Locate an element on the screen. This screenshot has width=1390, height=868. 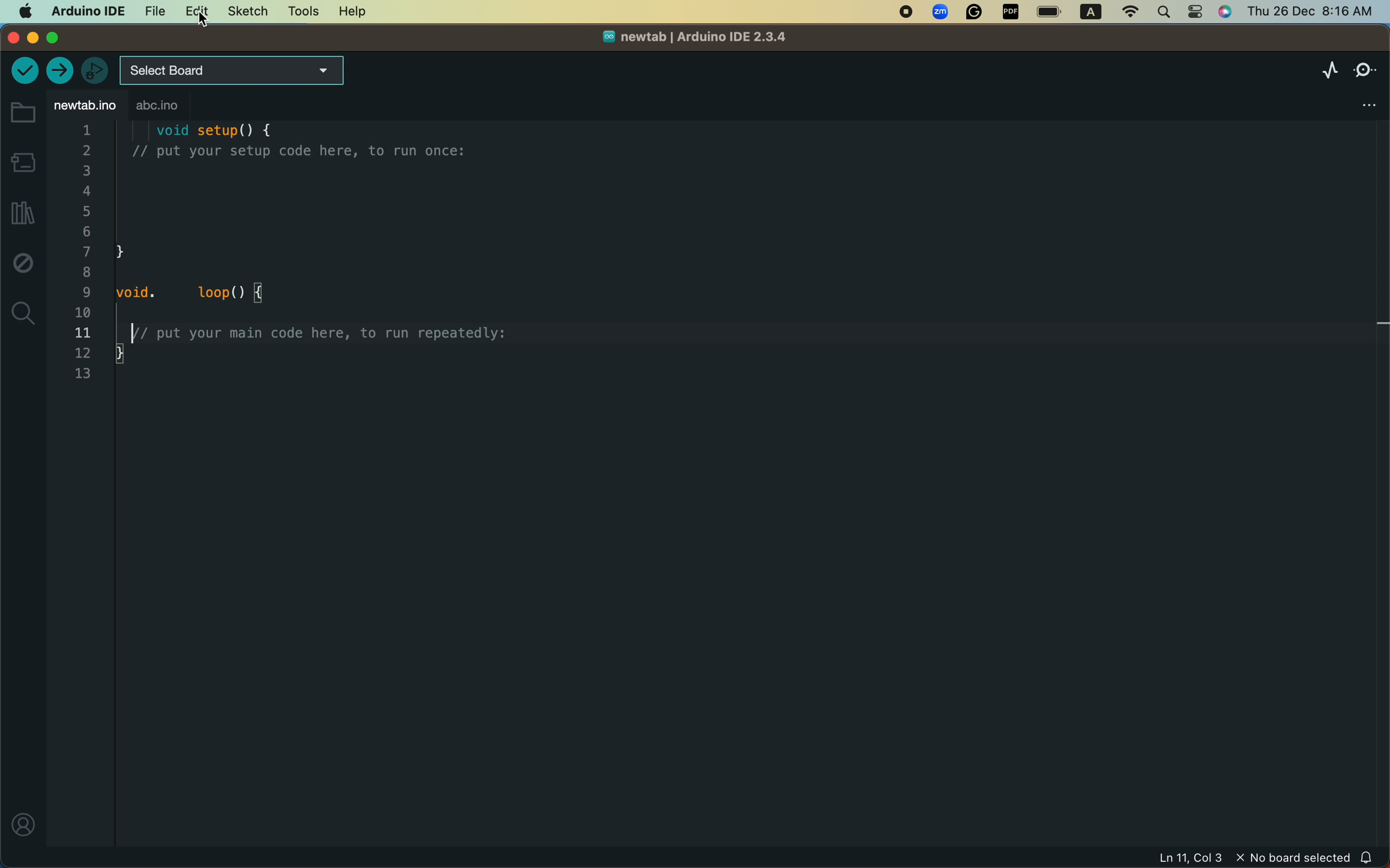
file information is located at coordinates (1203, 859).